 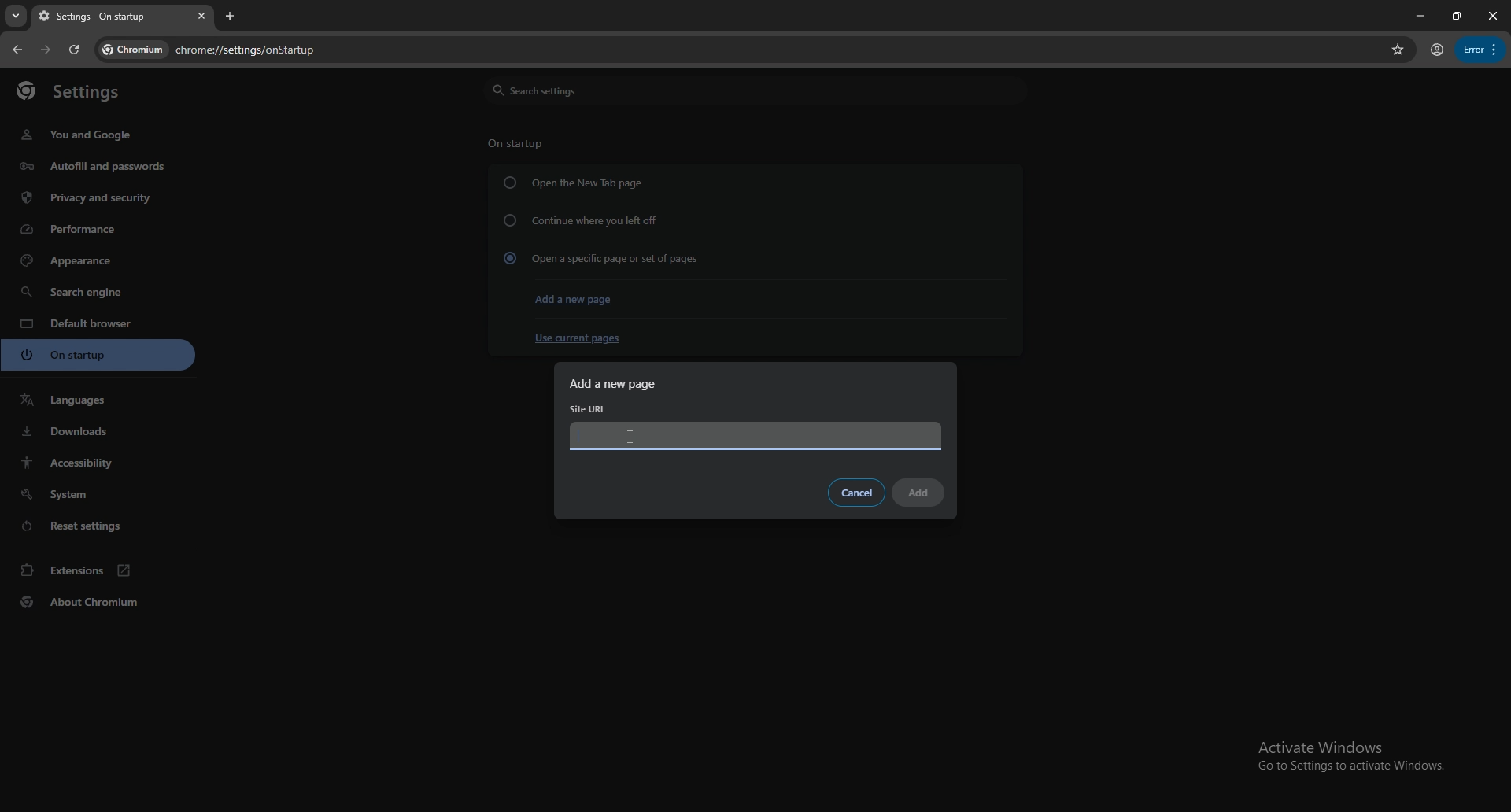 I want to click on reset settings, so click(x=98, y=525).